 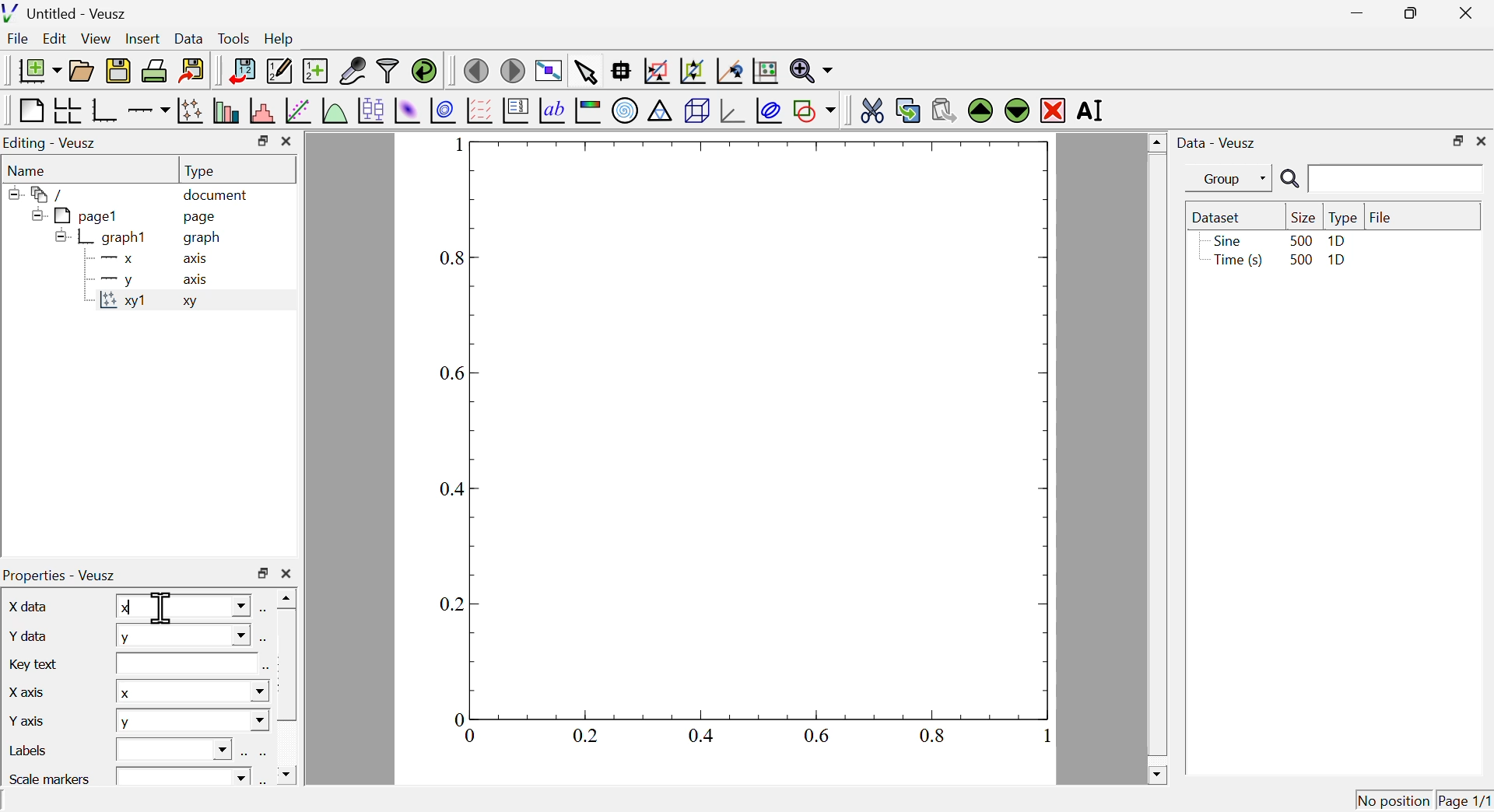 I want to click on maximize, so click(x=1455, y=140).